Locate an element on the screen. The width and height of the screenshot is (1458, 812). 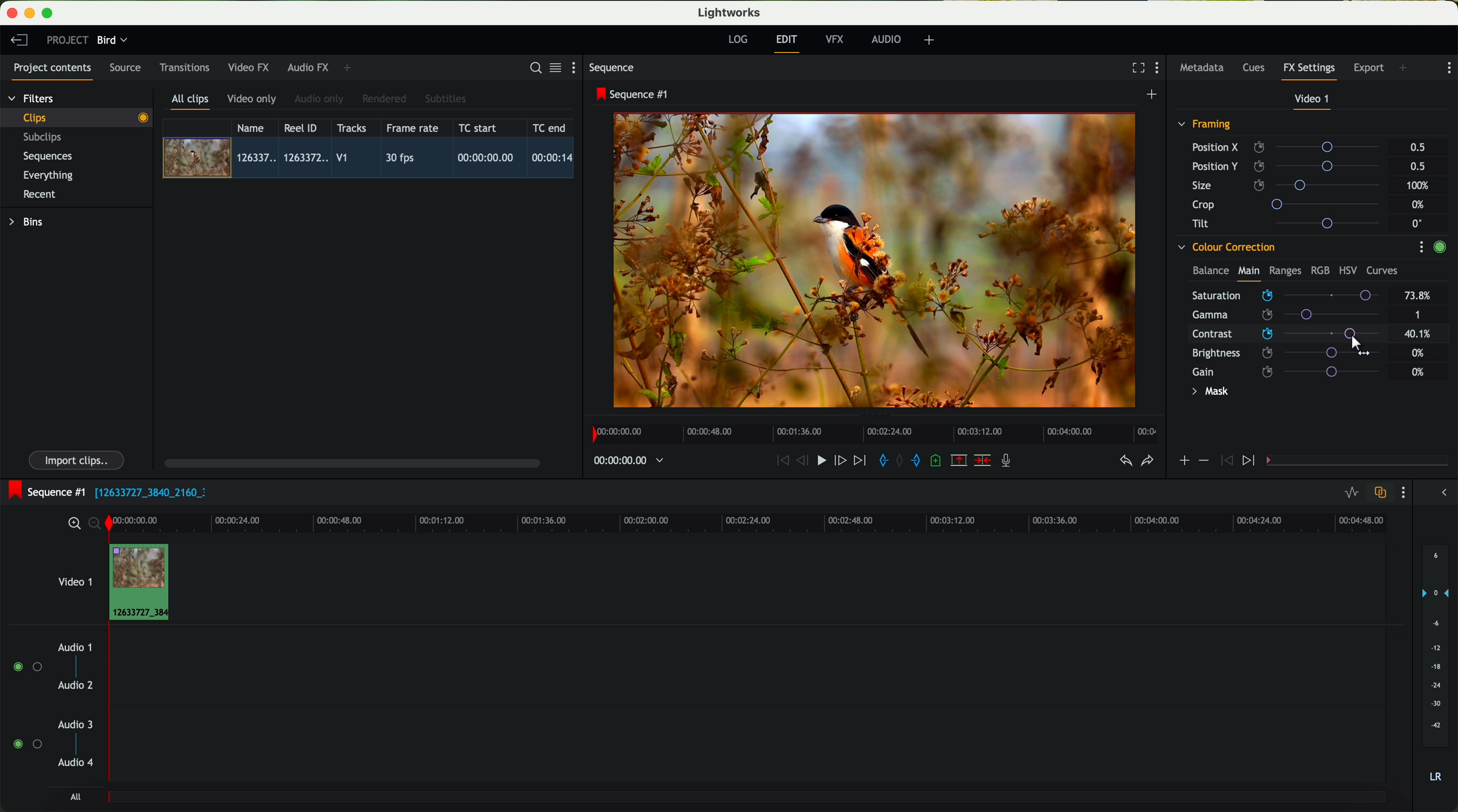
enable audio is located at coordinates (27, 744).